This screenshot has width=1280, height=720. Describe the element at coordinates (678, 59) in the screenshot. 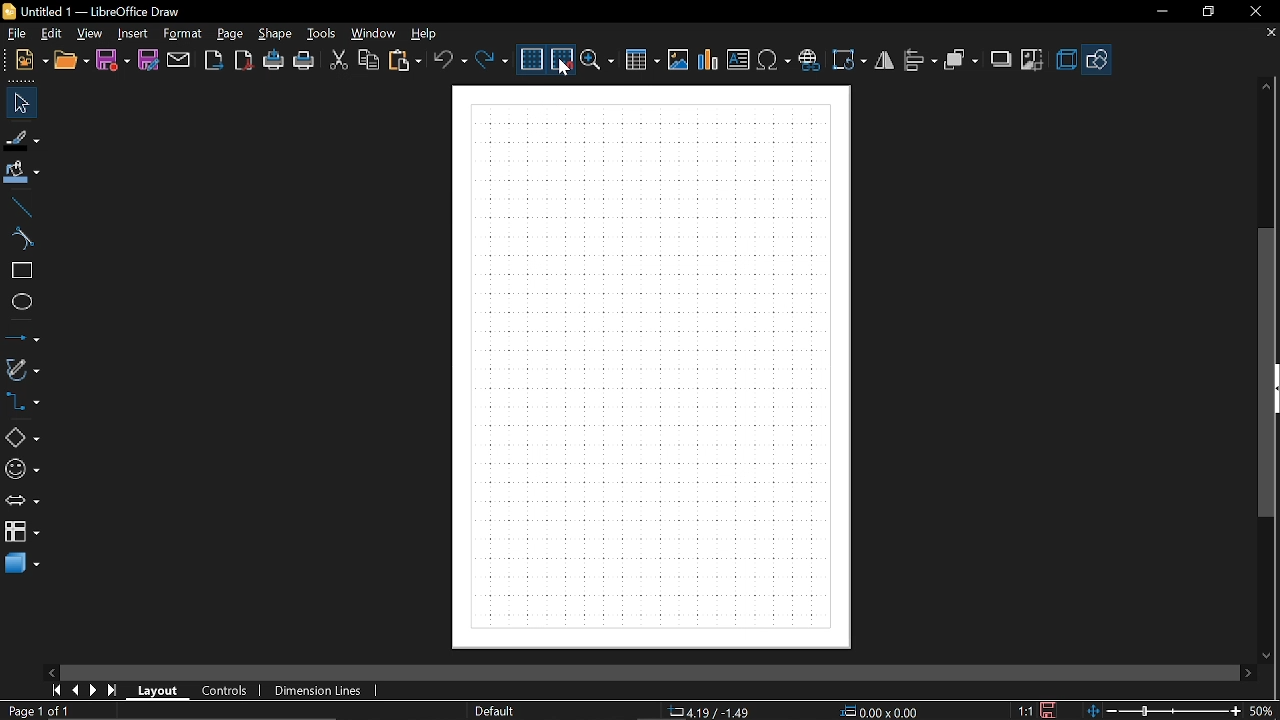

I see `image` at that location.